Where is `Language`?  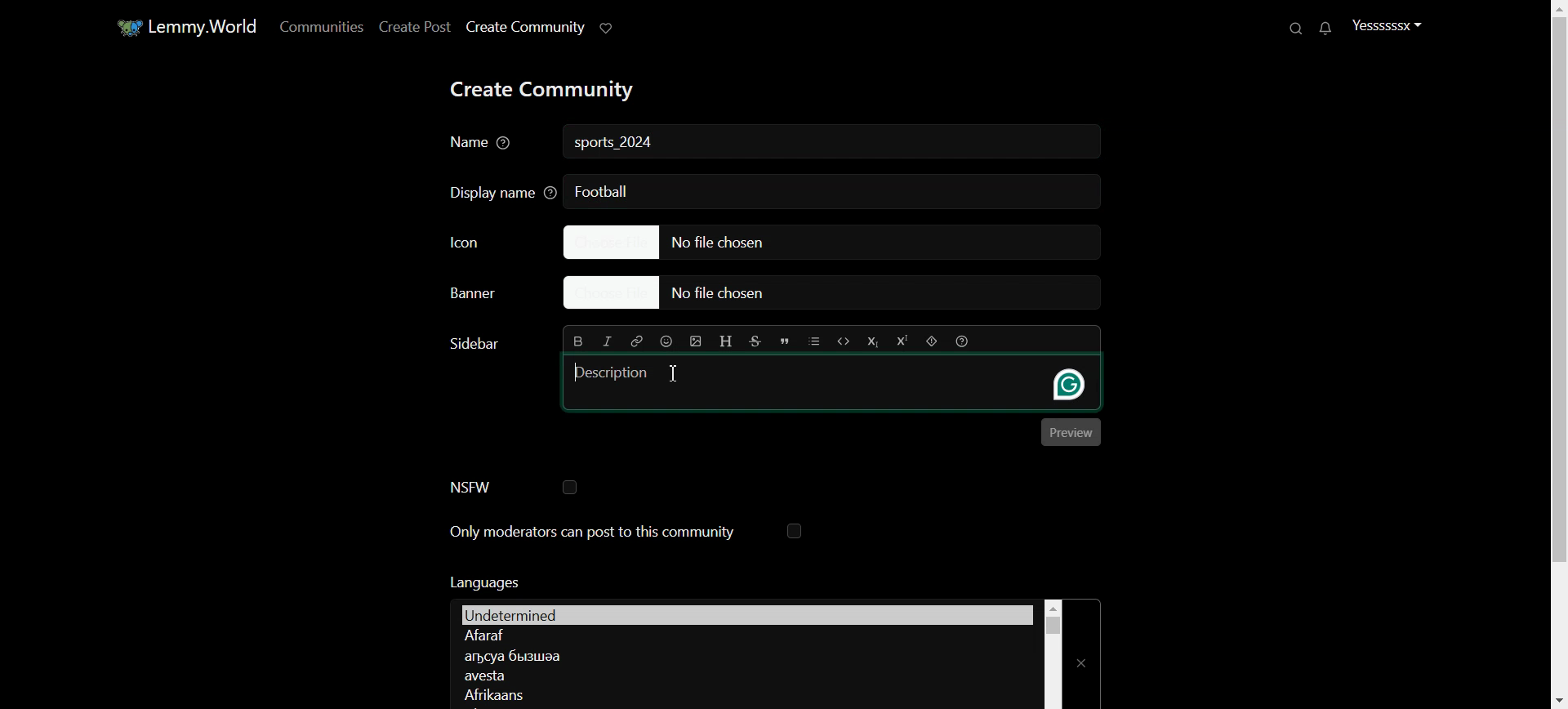
Language is located at coordinates (744, 636).